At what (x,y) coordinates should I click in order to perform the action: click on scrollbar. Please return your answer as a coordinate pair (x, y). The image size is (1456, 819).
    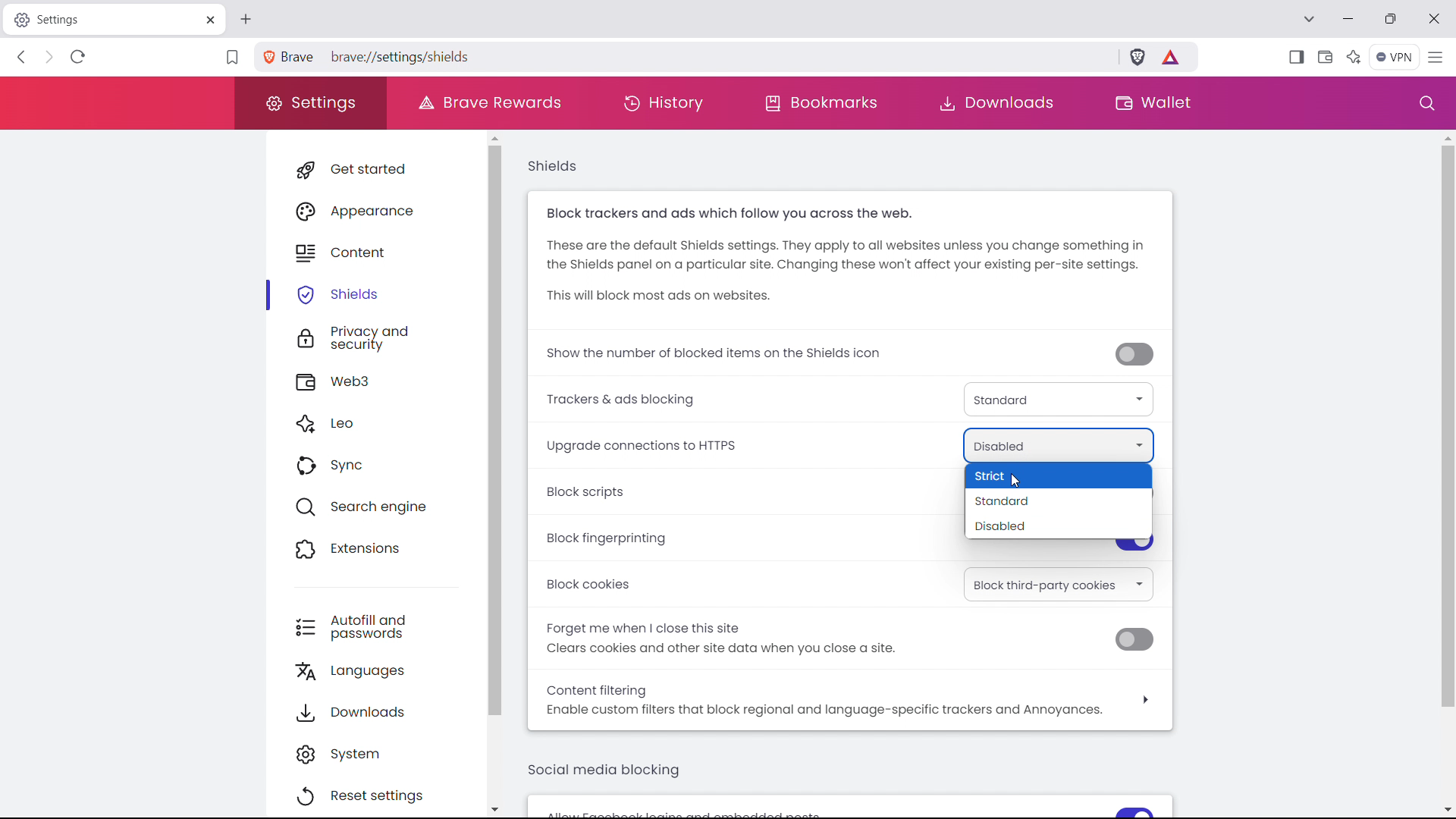
    Looking at the image, I should click on (498, 431).